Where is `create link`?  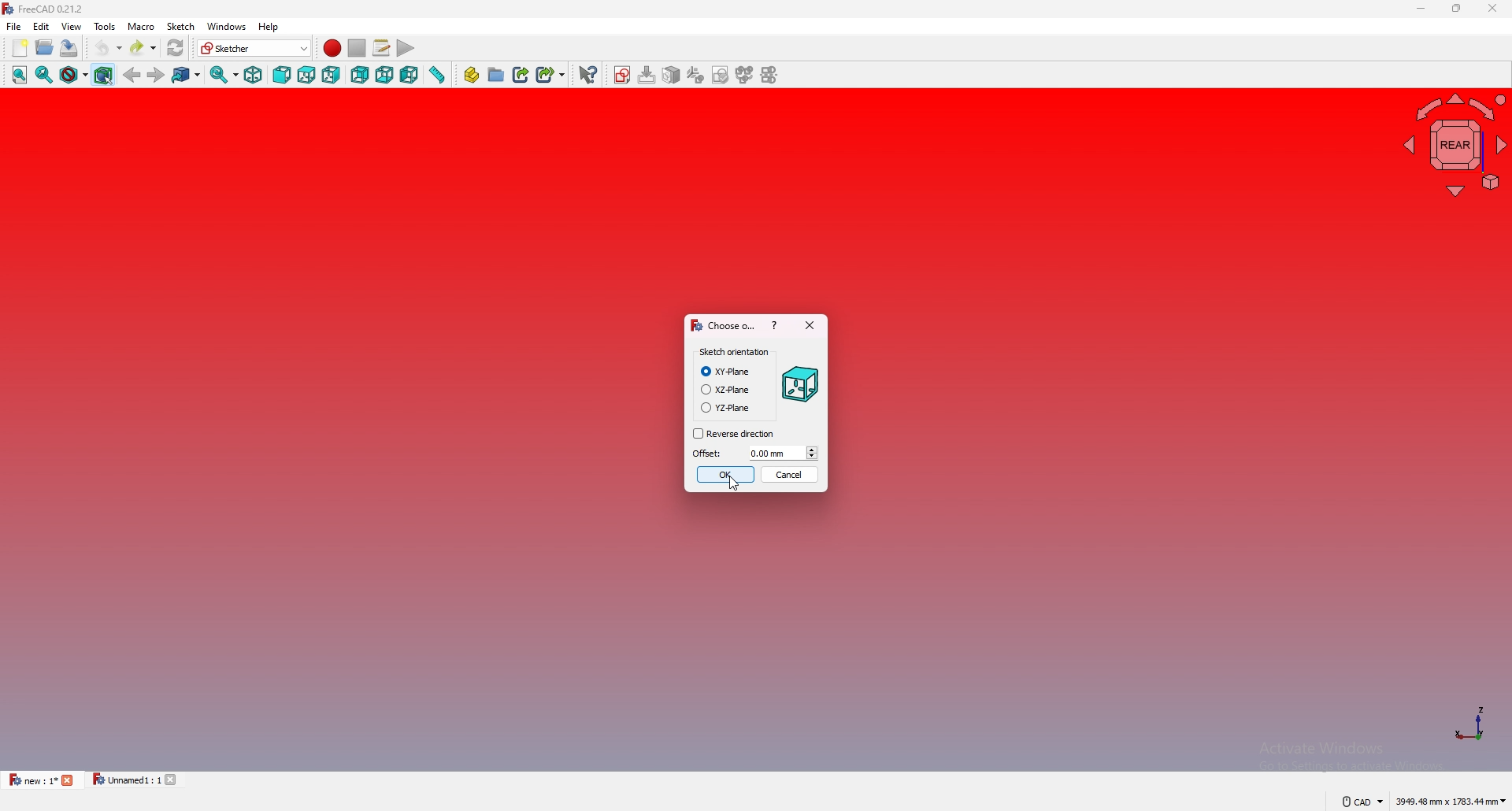 create link is located at coordinates (522, 74).